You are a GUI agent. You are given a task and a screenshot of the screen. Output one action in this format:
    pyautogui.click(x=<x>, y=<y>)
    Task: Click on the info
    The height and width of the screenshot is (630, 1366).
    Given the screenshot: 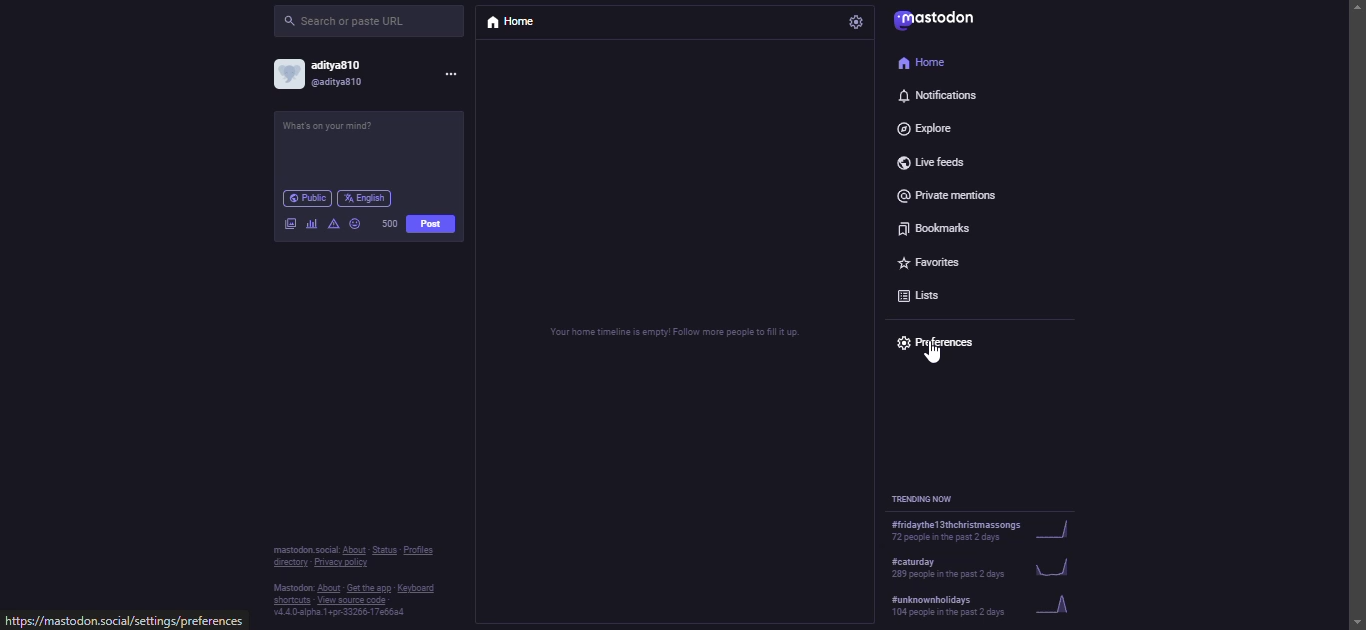 What is the action you would take?
    pyautogui.click(x=361, y=583)
    